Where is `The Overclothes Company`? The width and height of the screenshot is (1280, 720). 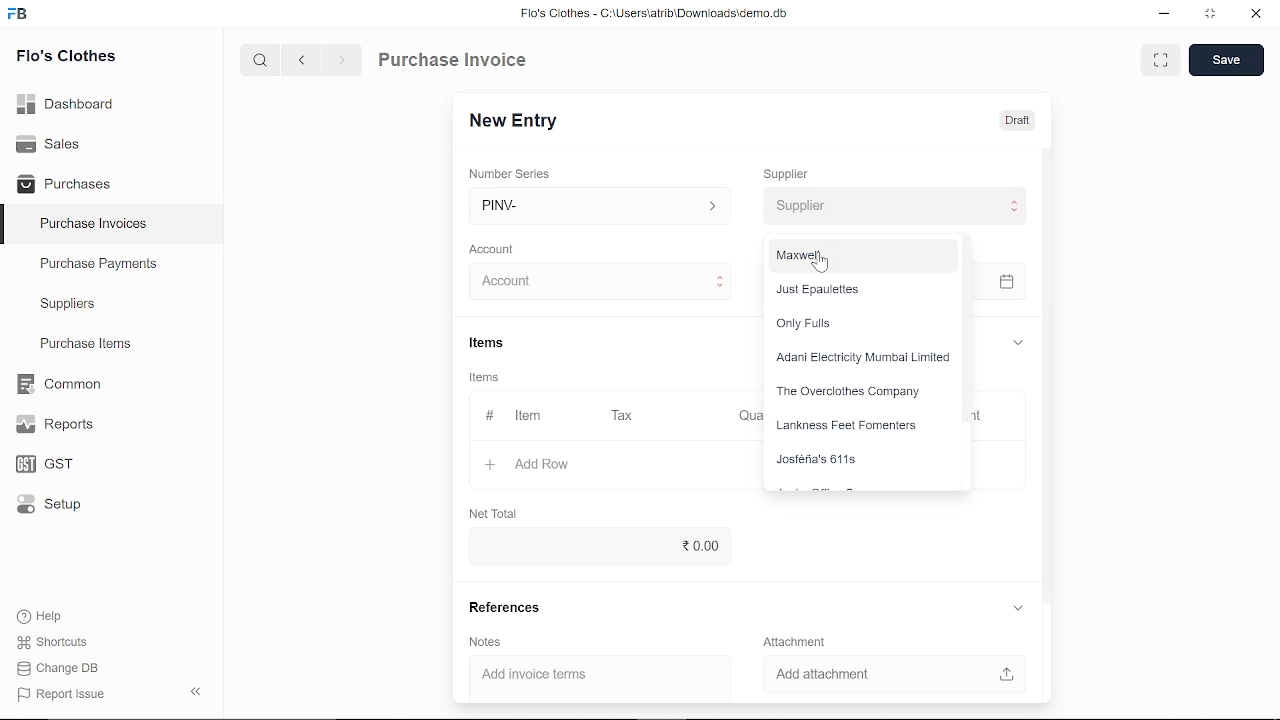
The Overclothes Company is located at coordinates (858, 392).